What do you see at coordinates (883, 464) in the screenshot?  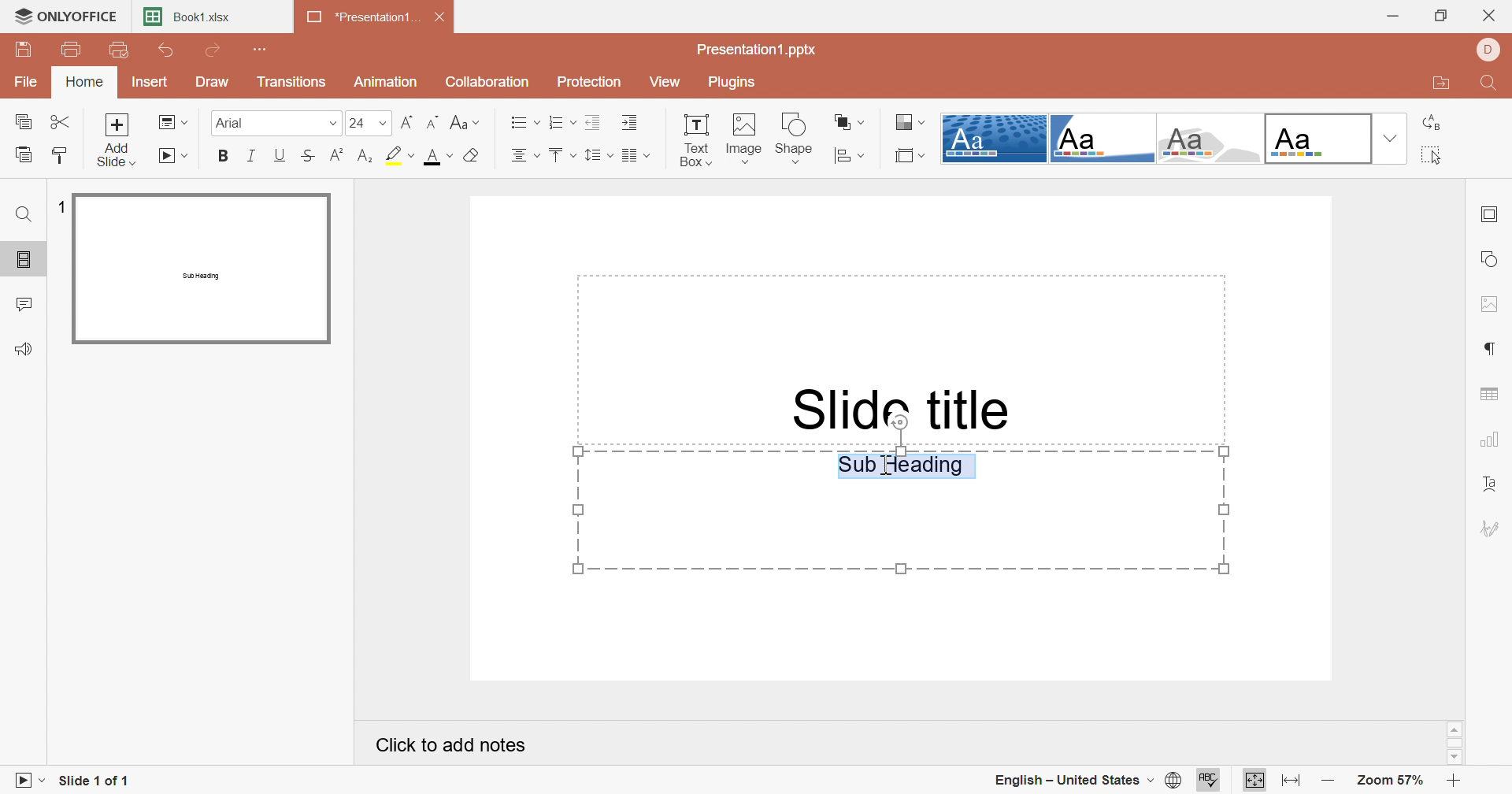 I see `Cursor` at bounding box center [883, 464].